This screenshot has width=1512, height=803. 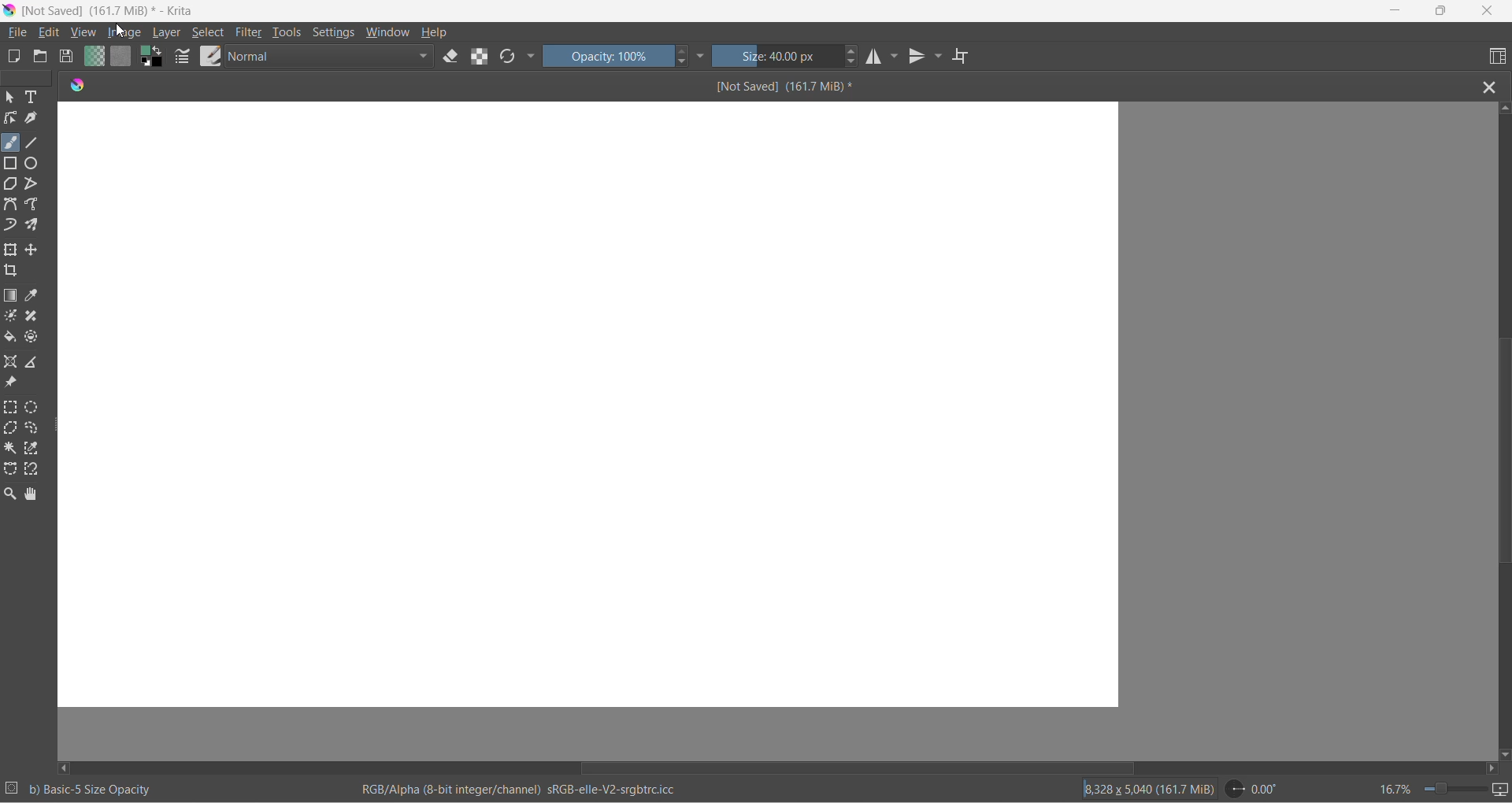 What do you see at coordinates (13, 162) in the screenshot?
I see `rectangle tool` at bounding box center [13, 162].